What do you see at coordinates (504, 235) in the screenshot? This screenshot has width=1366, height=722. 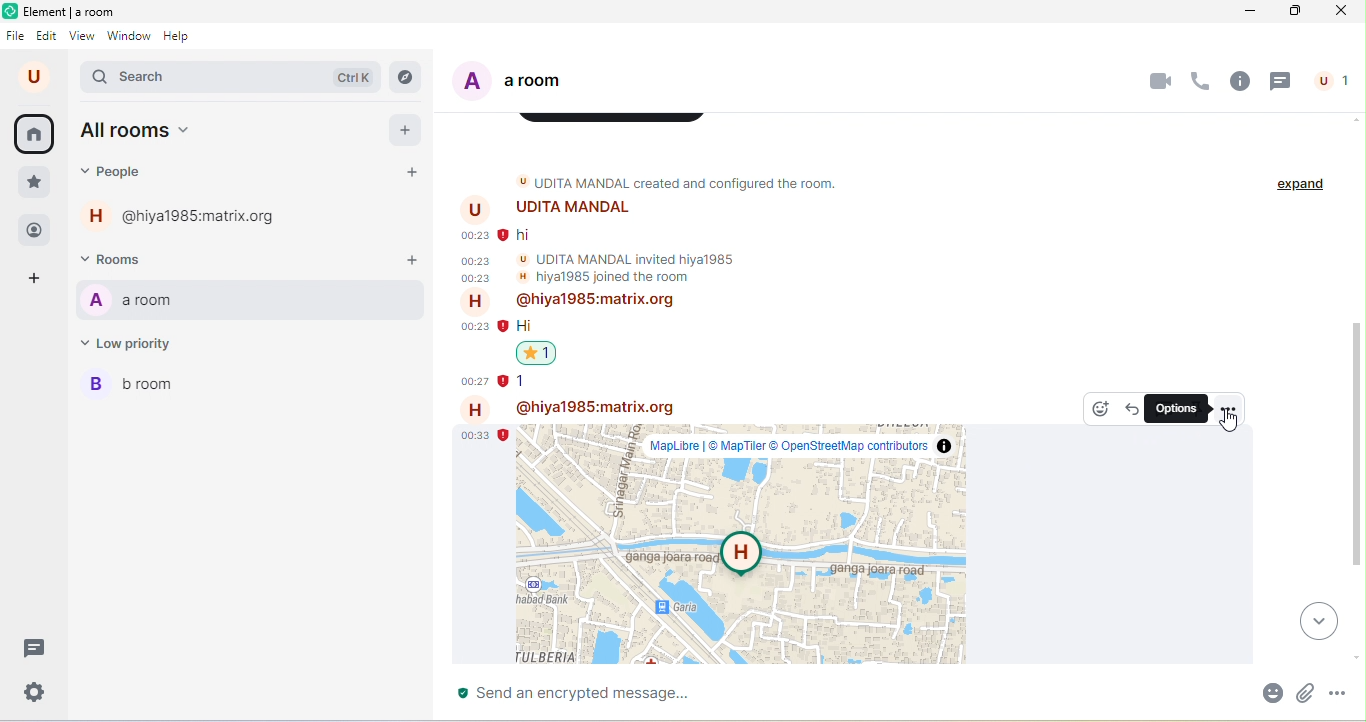 I see `error message` at bounding box center [504, 235].